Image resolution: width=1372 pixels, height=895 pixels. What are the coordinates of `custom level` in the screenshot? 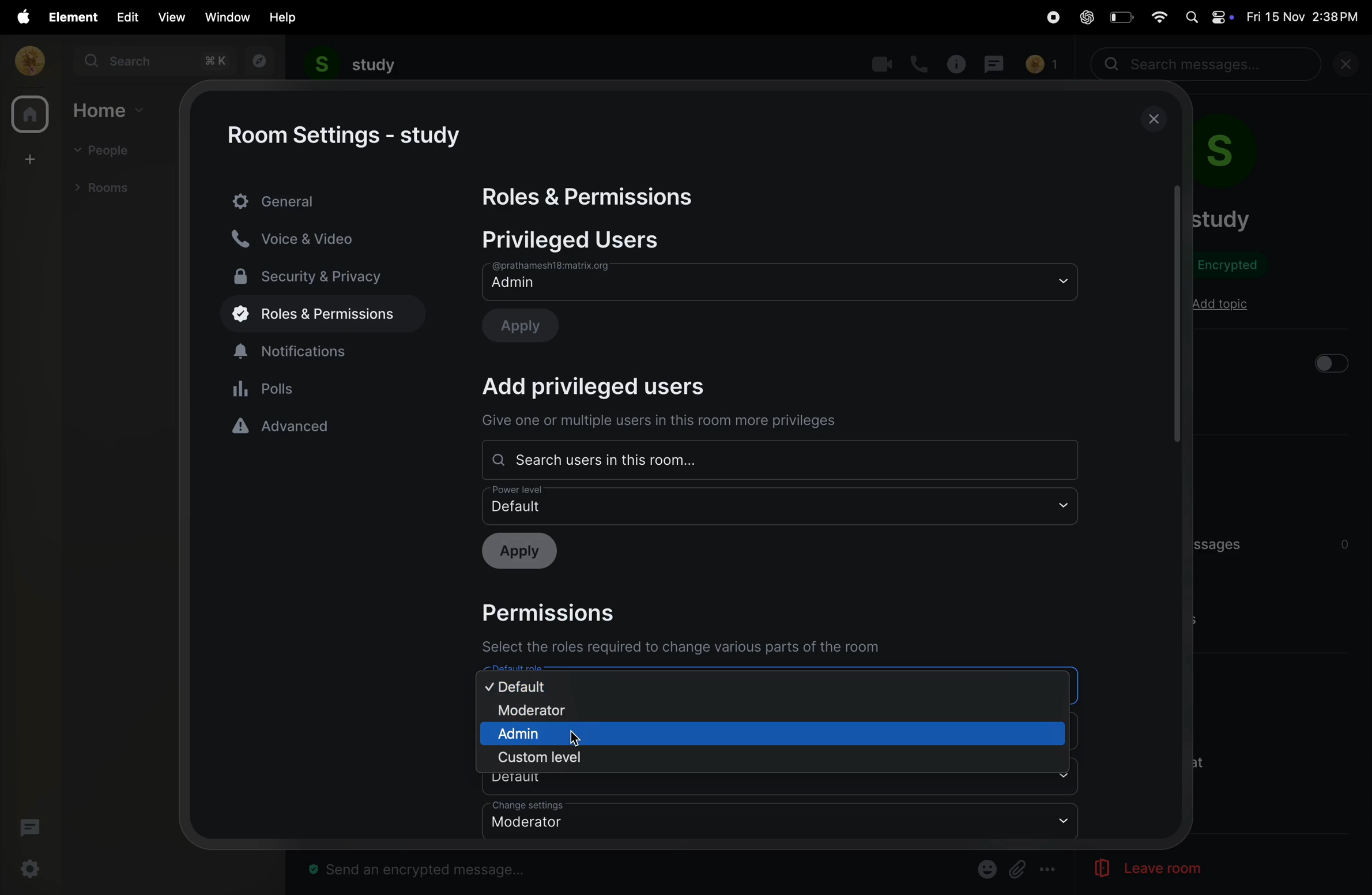 It's located at (543, 758).